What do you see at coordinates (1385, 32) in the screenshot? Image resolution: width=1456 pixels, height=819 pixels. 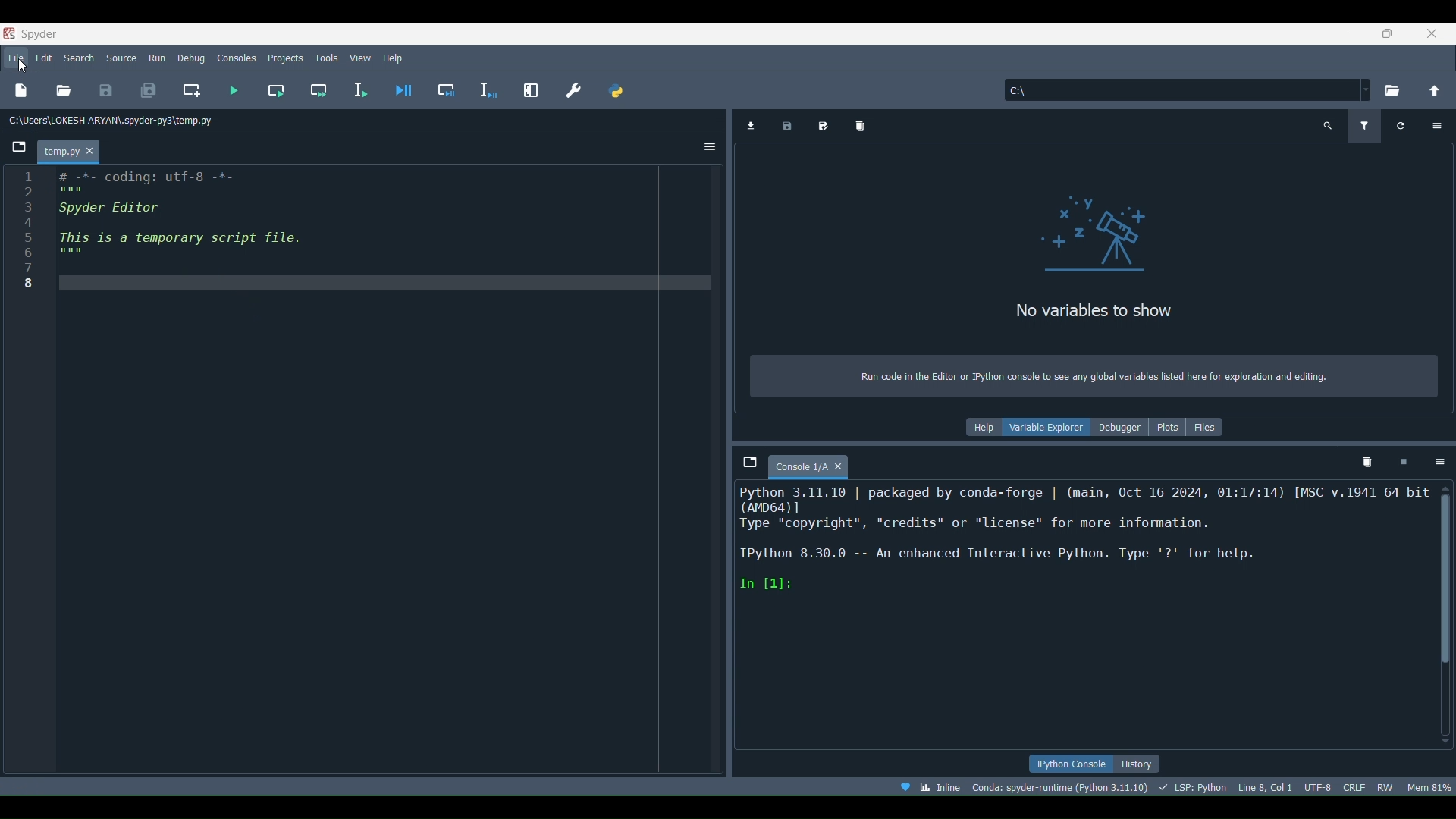 I see `maximize/restore` at bounding box center [1385, 32].